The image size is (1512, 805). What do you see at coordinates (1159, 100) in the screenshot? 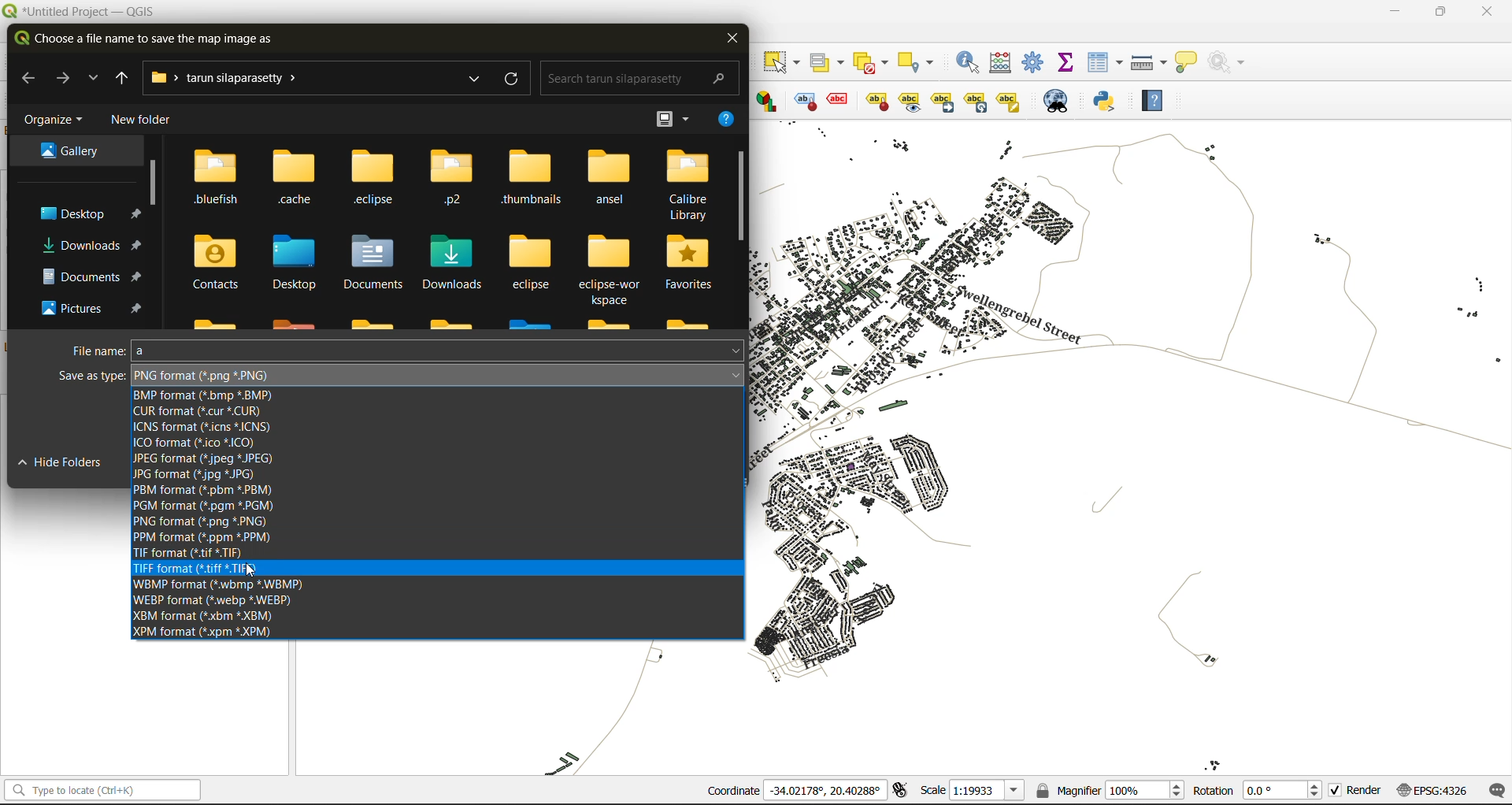
I see `help` at bounding box center [1159, 100].